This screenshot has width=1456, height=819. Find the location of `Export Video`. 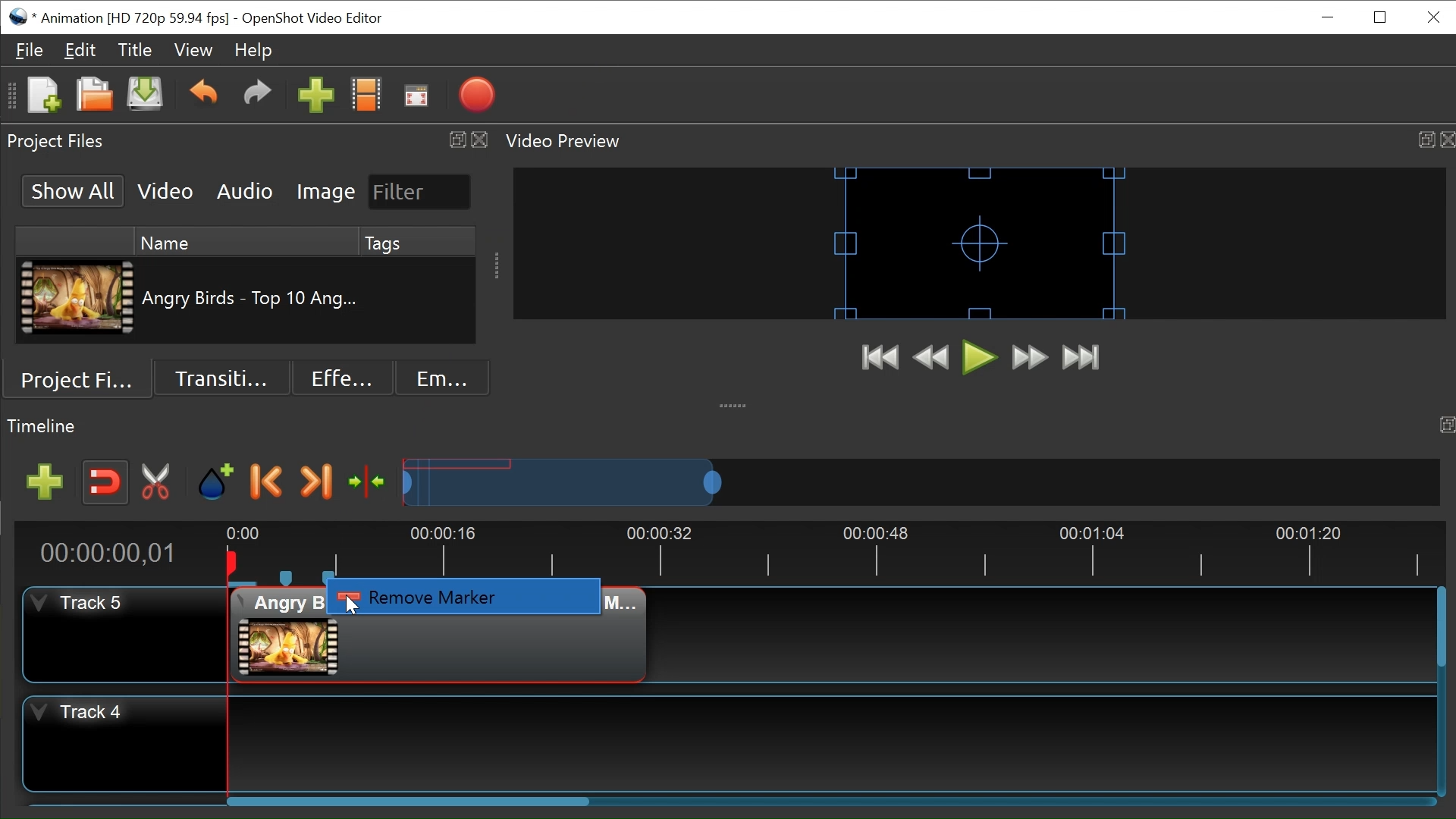

Export Video is located at coordinates (476, 97).